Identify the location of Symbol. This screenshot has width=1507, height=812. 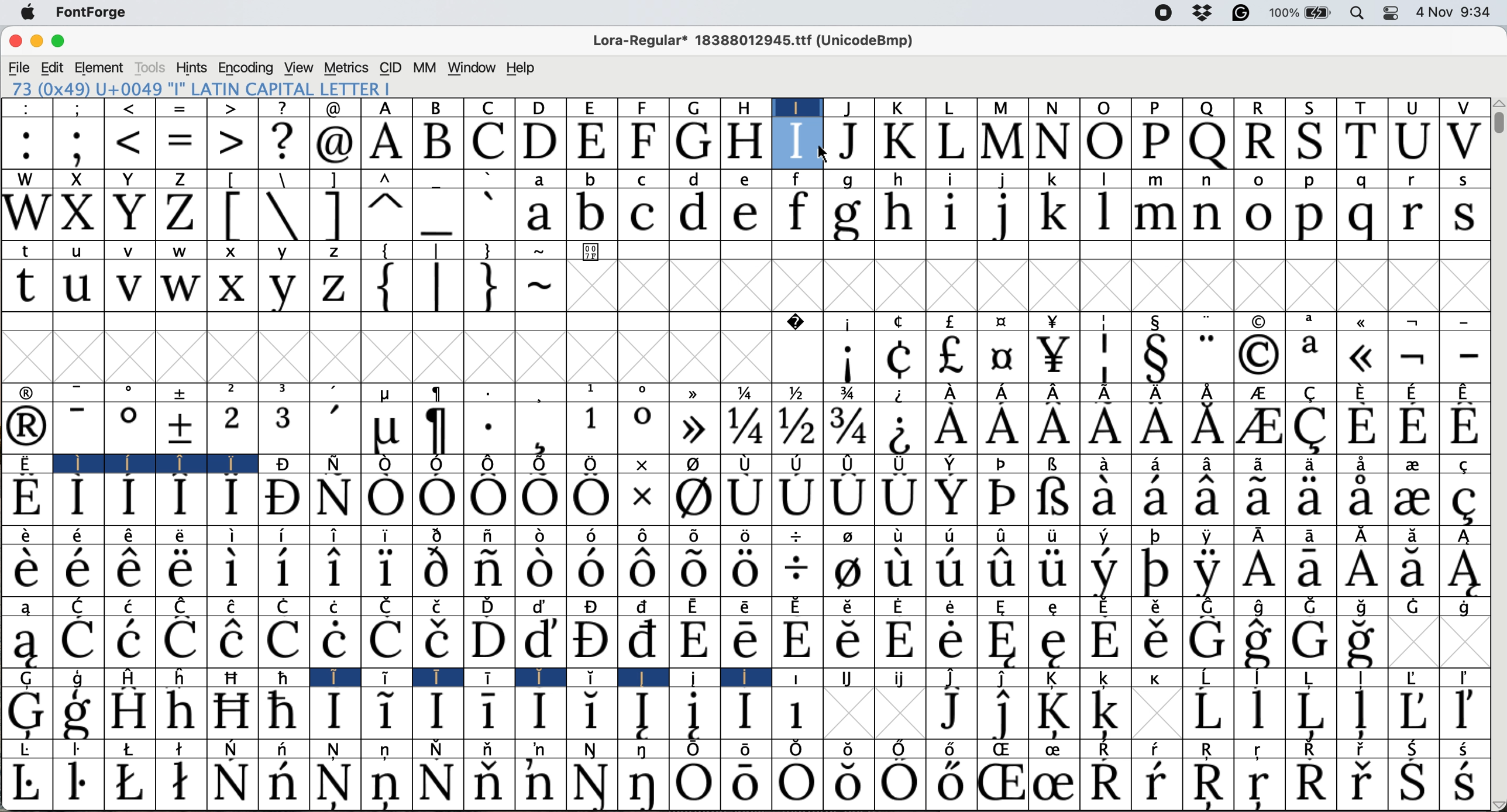
(1207, 499).